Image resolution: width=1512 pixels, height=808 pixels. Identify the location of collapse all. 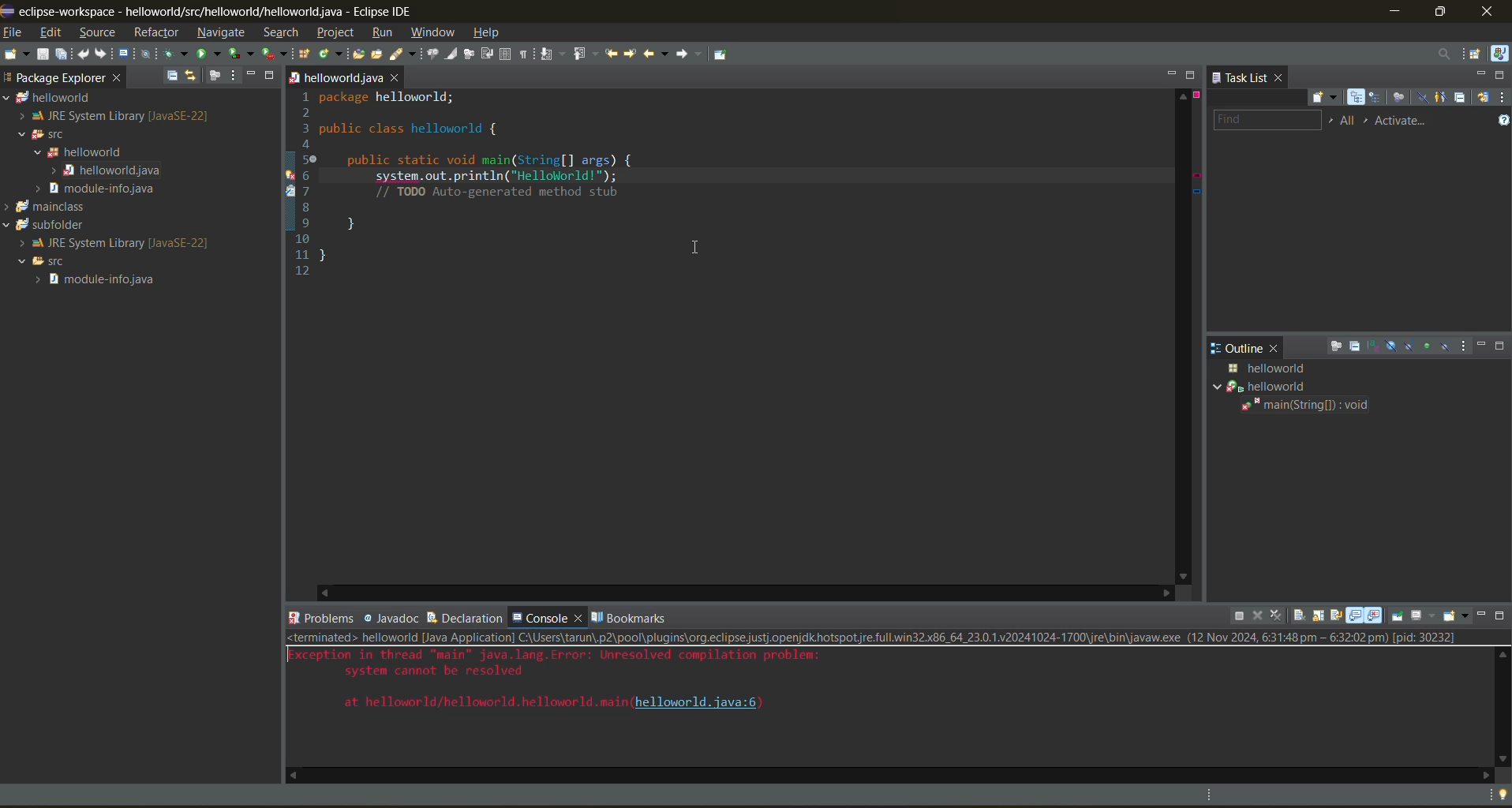
(1462, 99).